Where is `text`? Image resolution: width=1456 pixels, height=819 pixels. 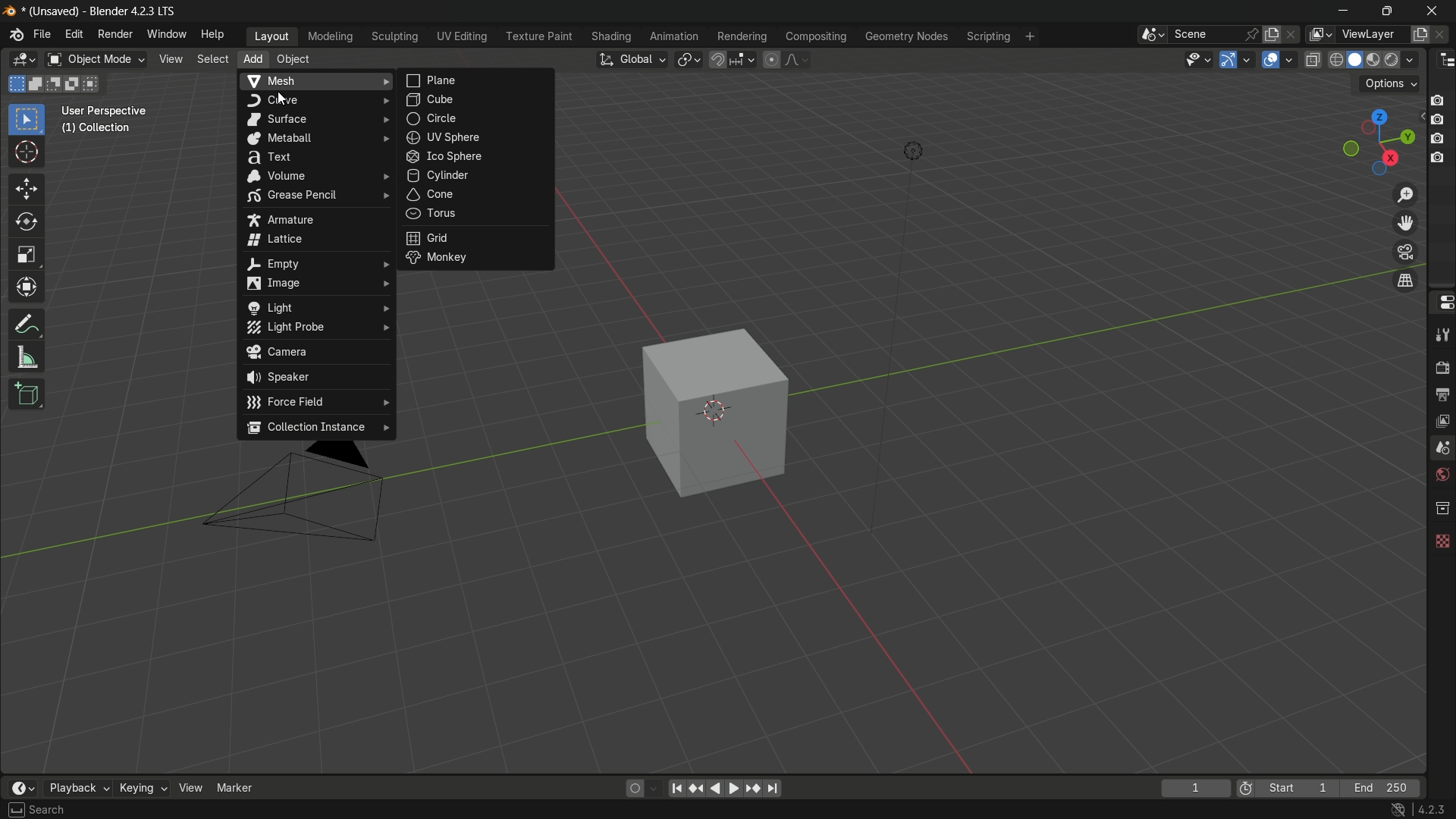
text is located at coordinates (316, 157).